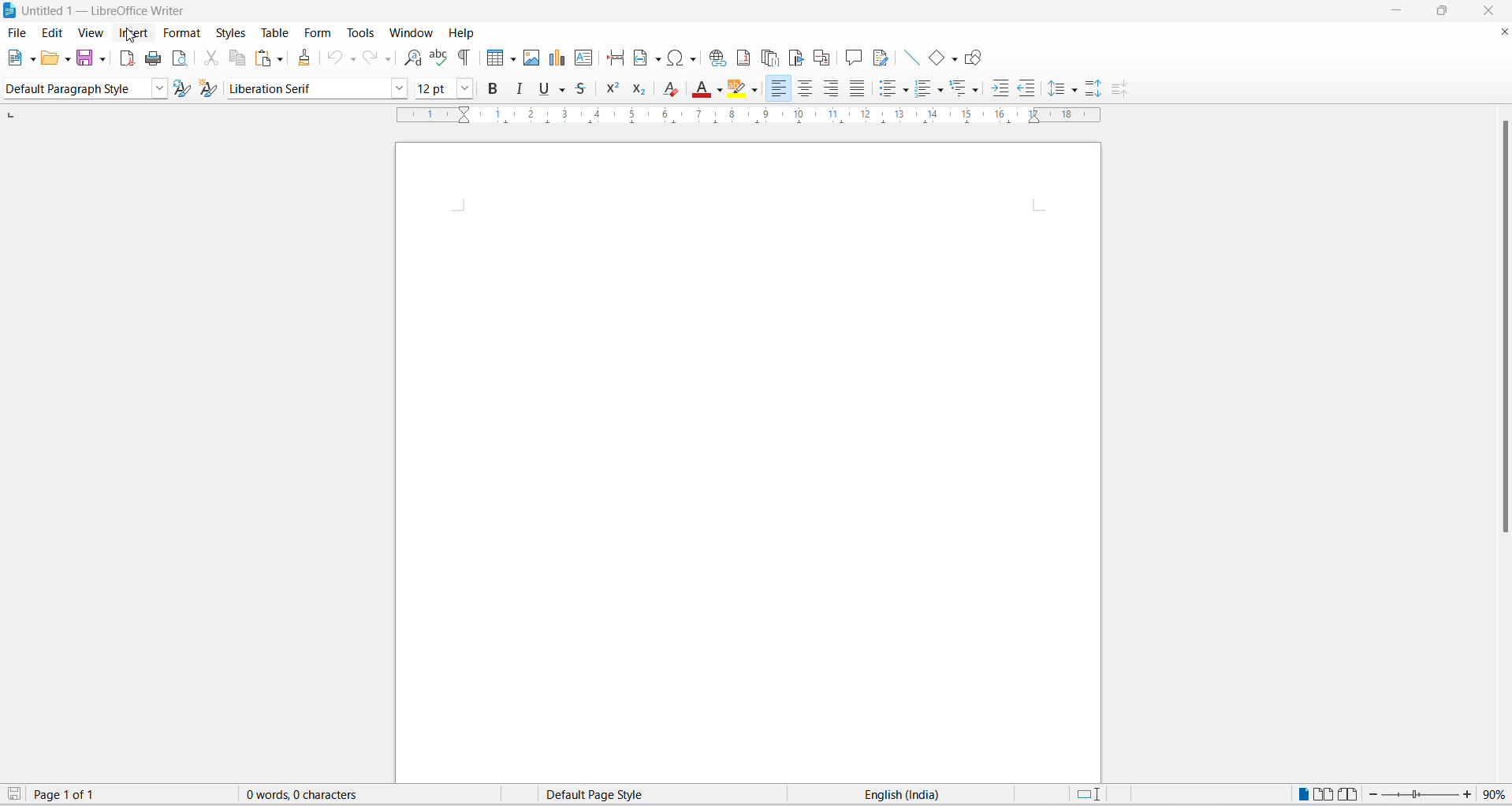  I want to click on paragraph style options, so click(156, 88).